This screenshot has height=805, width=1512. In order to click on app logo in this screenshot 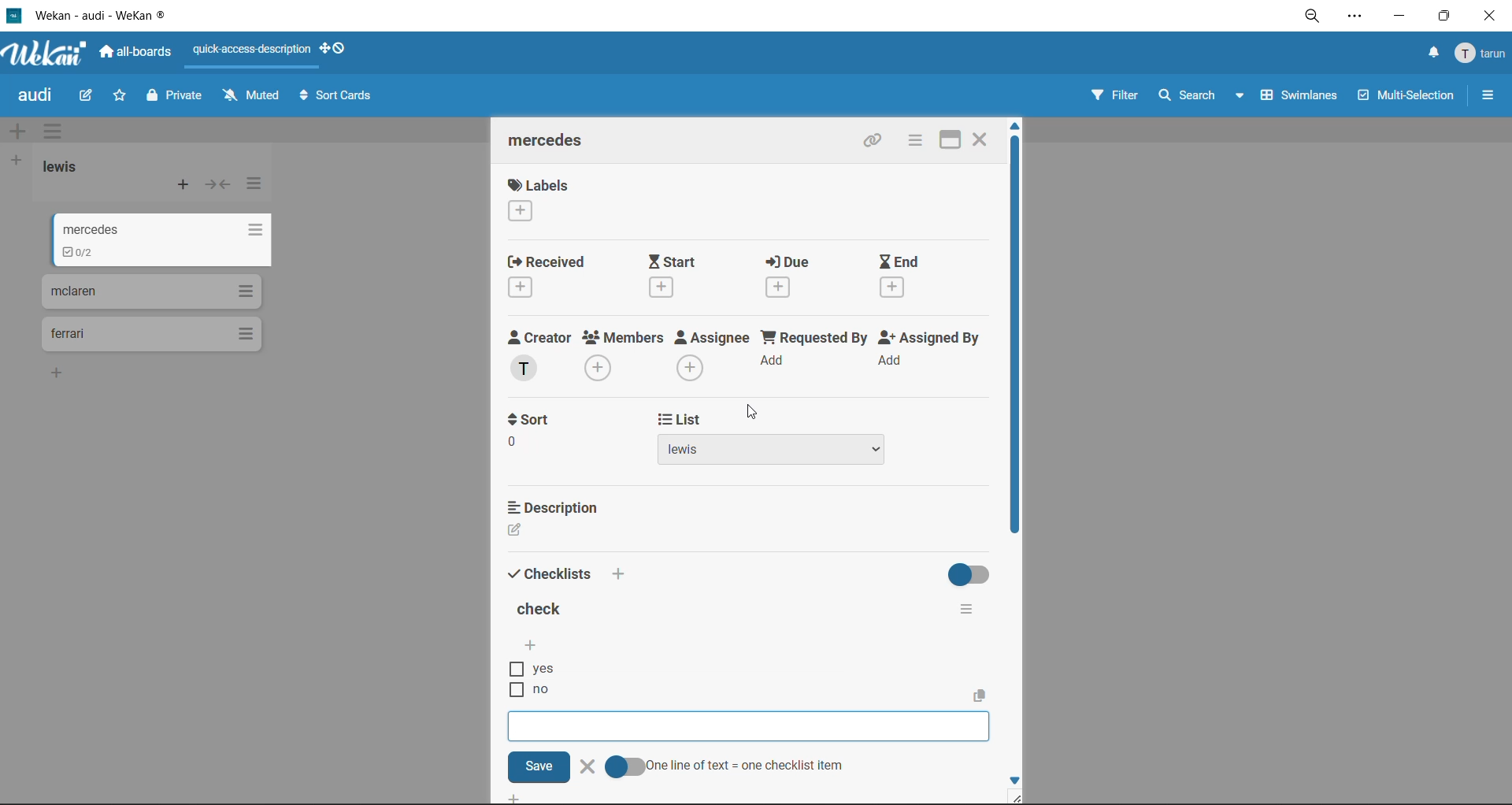, I will do `click(46, 55)`.